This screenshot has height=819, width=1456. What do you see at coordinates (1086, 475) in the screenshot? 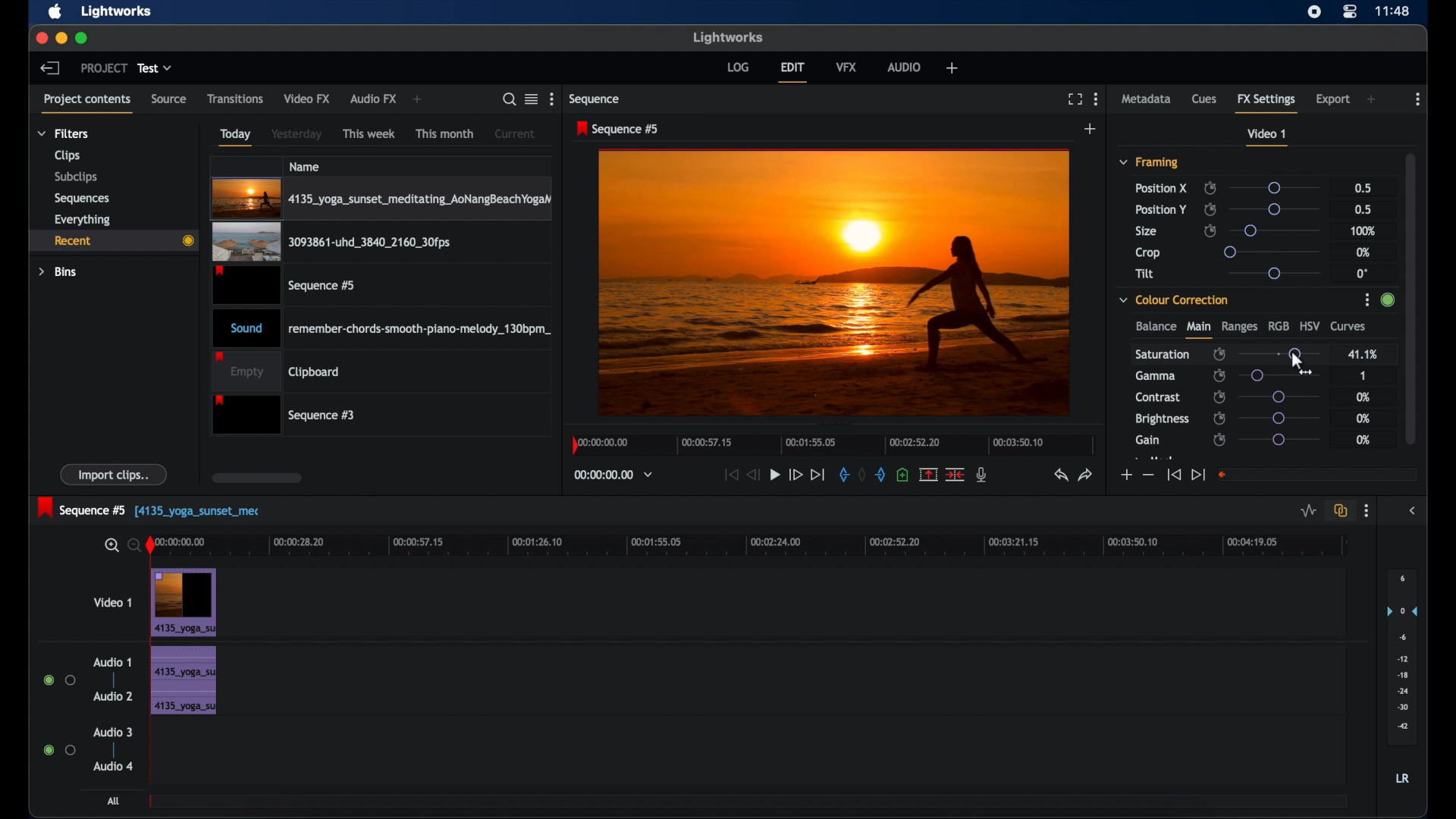
I see `redo` at bounding box center [1086, 475].